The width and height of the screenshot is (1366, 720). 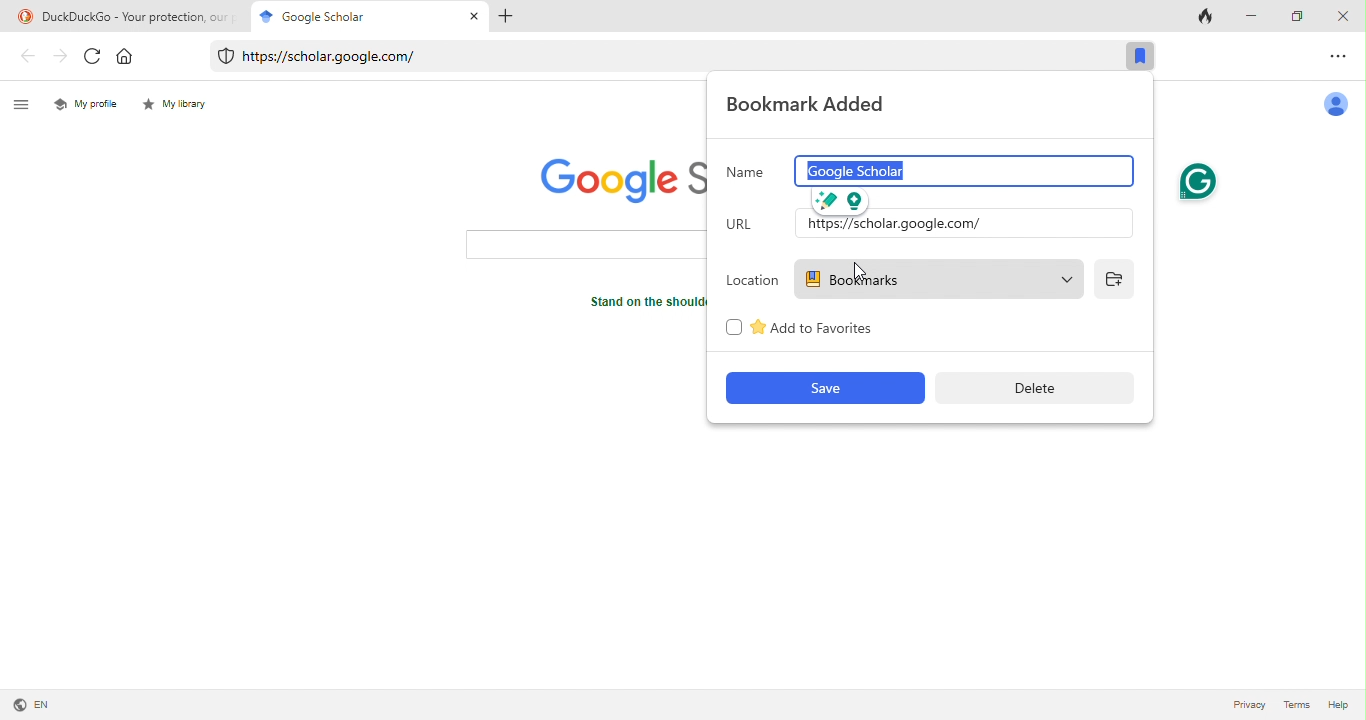 I want to click on forward, so click(x=62, y=58).